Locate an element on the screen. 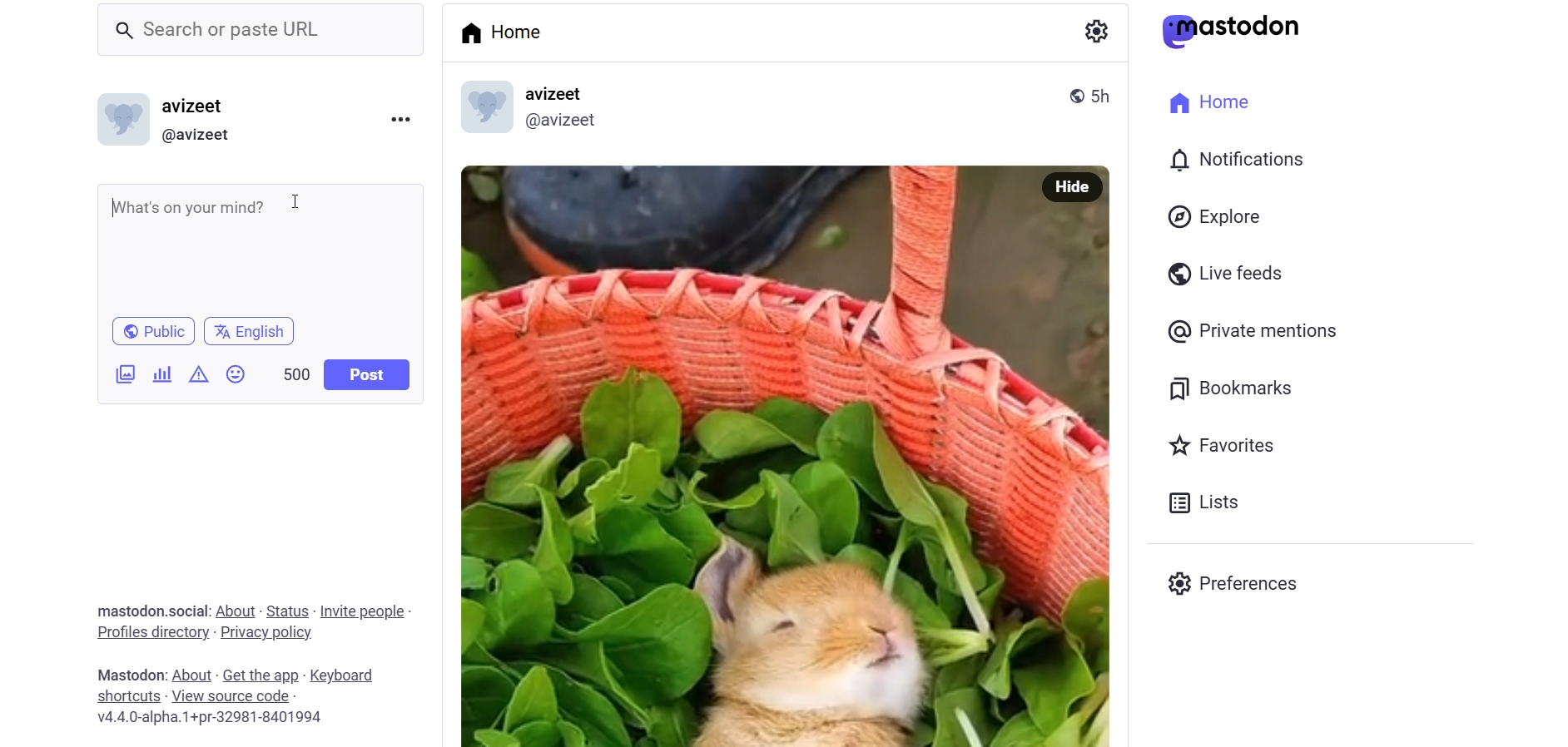 This screenshot has height=747, width=1568. poll is located at coordinates (164, 374).